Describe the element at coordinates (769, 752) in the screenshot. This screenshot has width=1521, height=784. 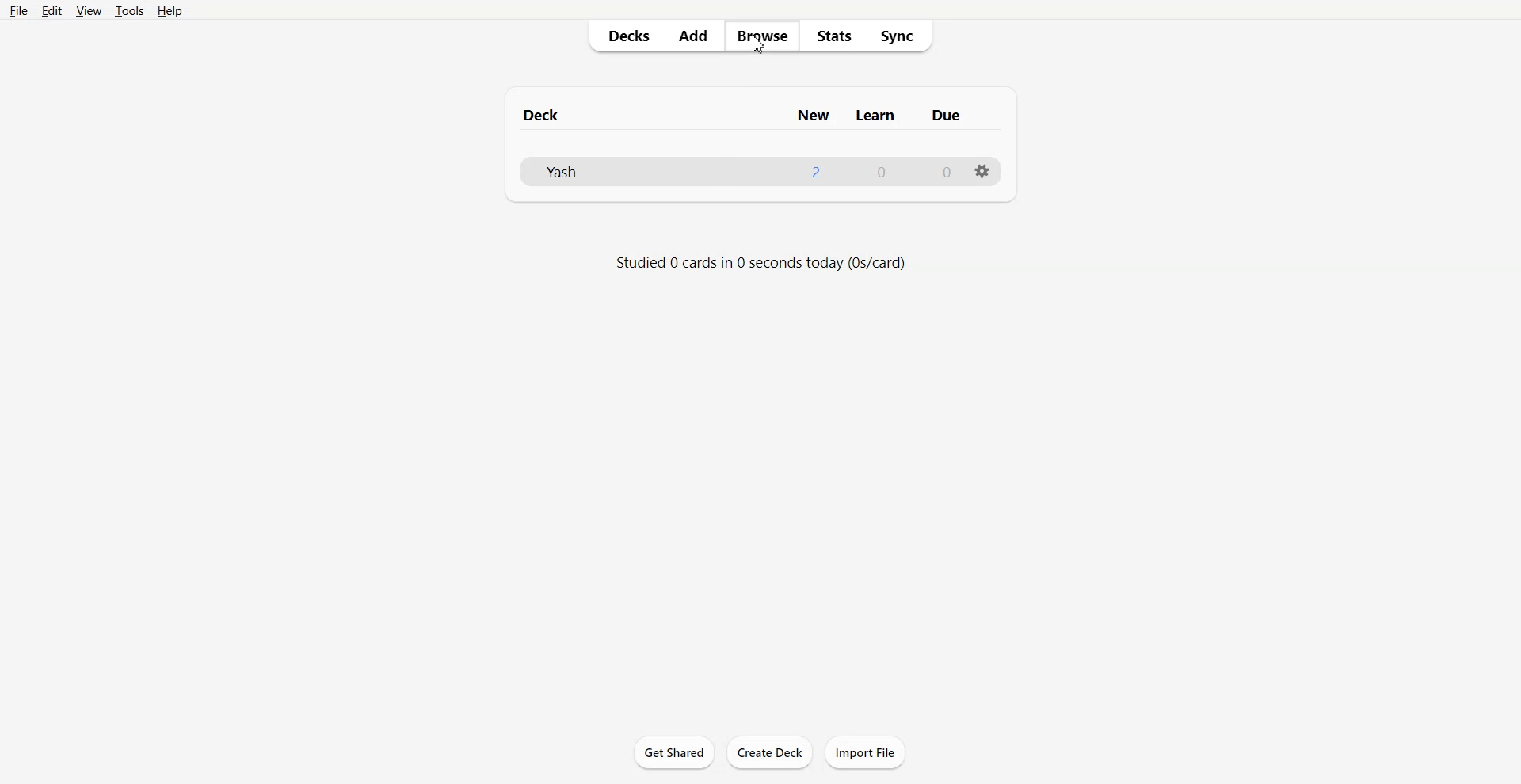
I see `Crate Deck` at that location.